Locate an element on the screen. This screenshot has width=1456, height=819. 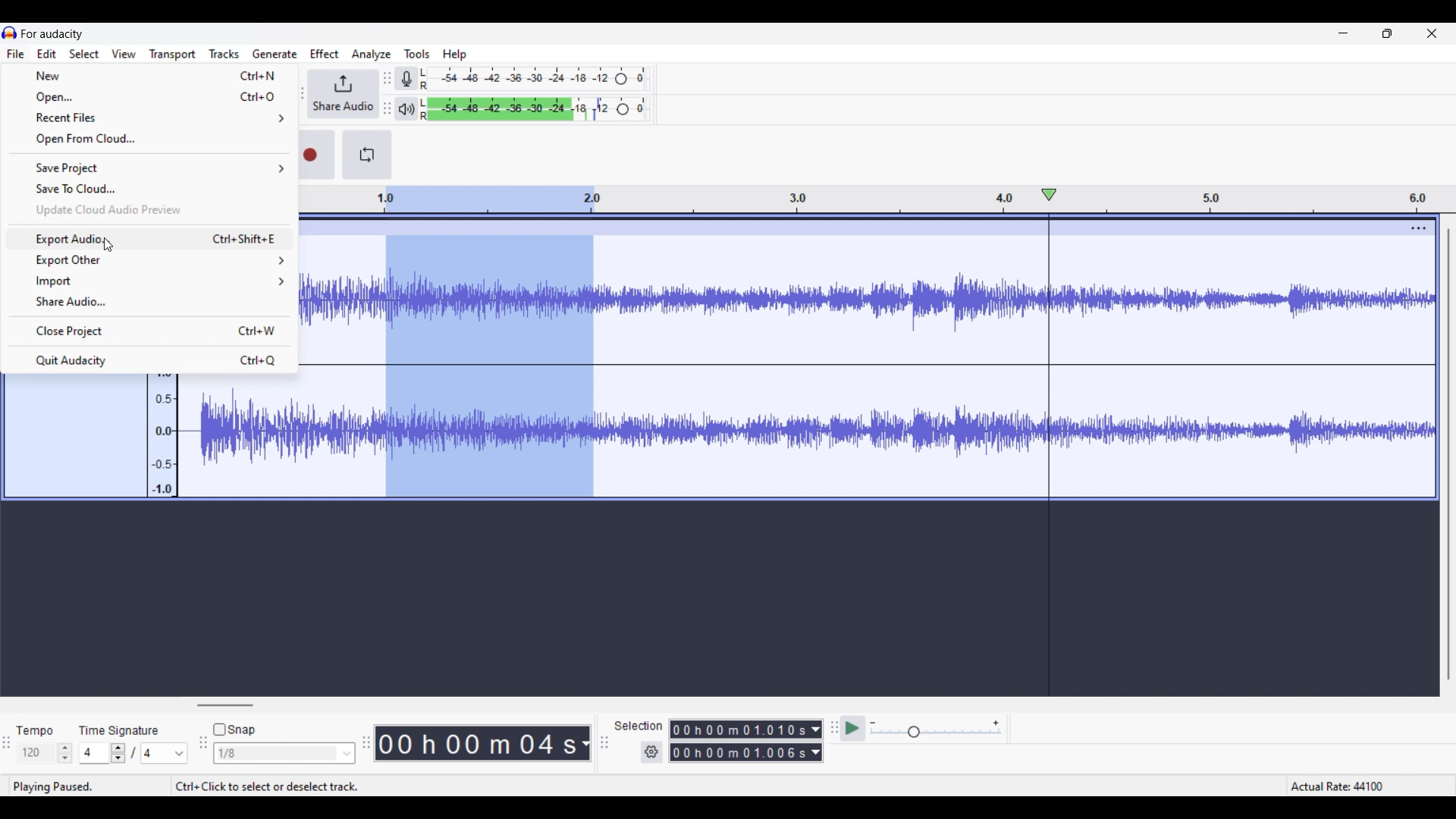
0 0 h 0 0 m 0 0 0 0 0 s     0 0 h 02 m 1 3 0 6 8 s is located at coordinates (739, 741).